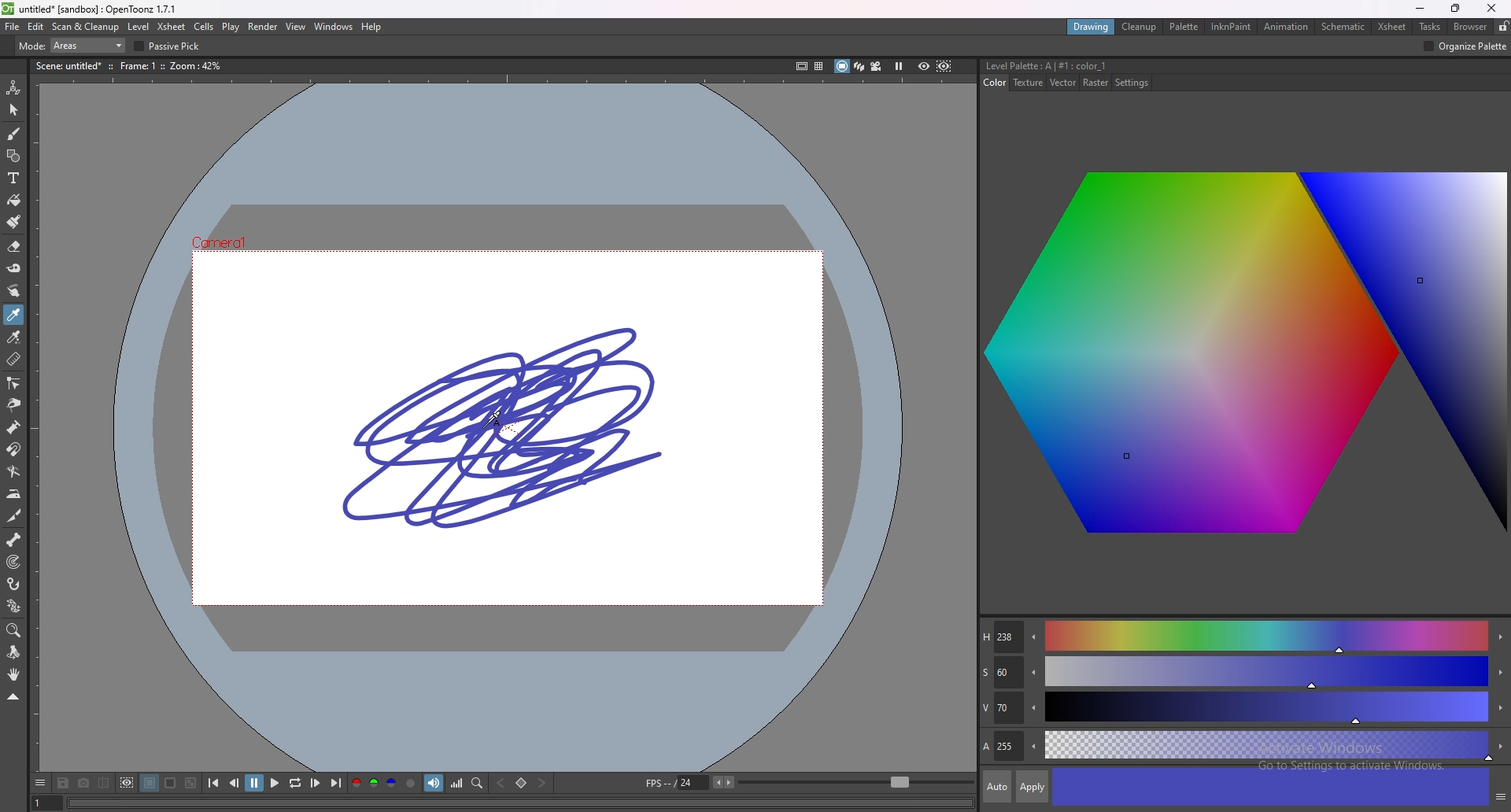 The image size is (1511, 812). I want to click on play, so click(230, 28).